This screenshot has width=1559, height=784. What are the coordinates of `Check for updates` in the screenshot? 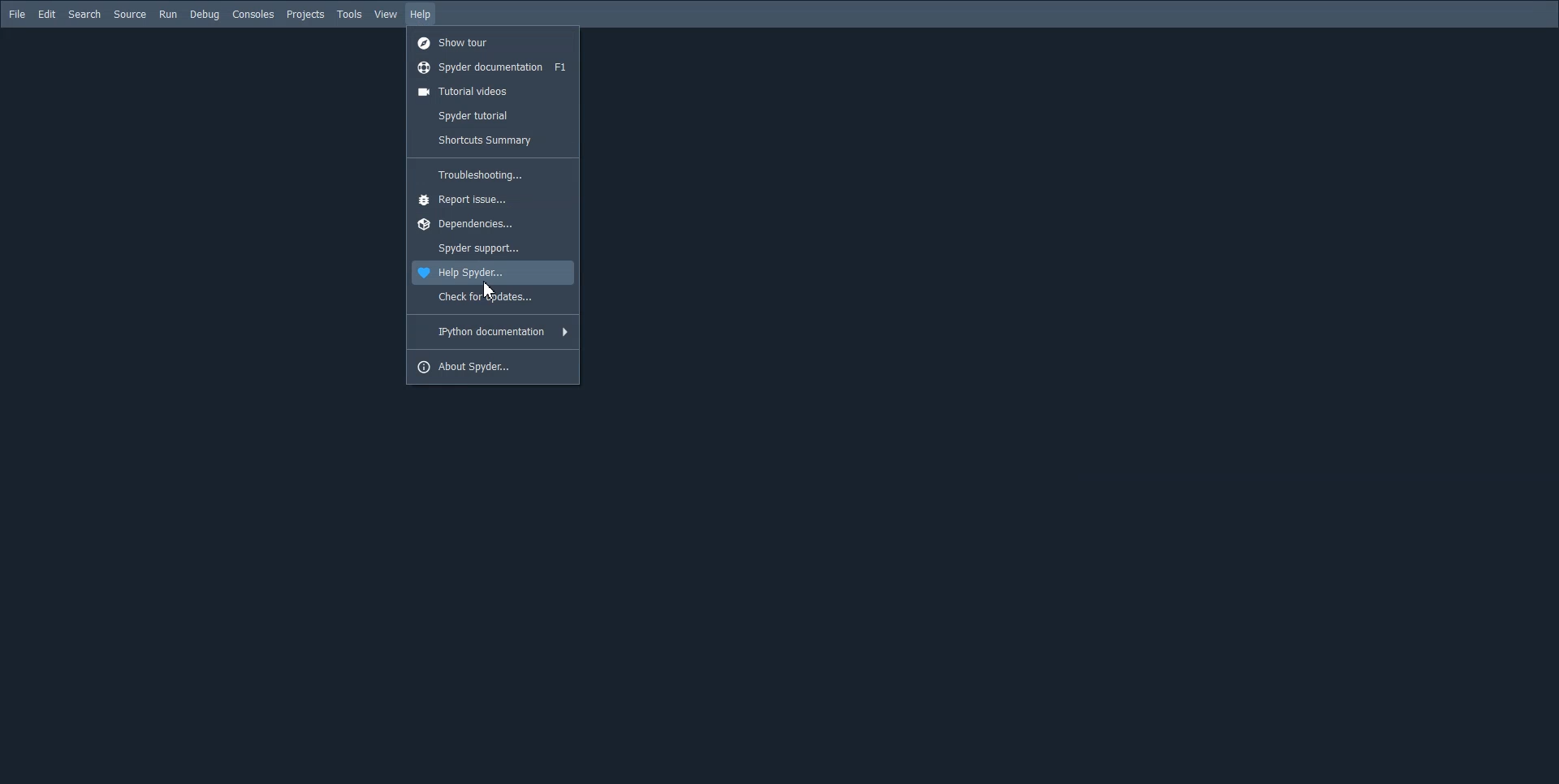 It's located at (491, 298).